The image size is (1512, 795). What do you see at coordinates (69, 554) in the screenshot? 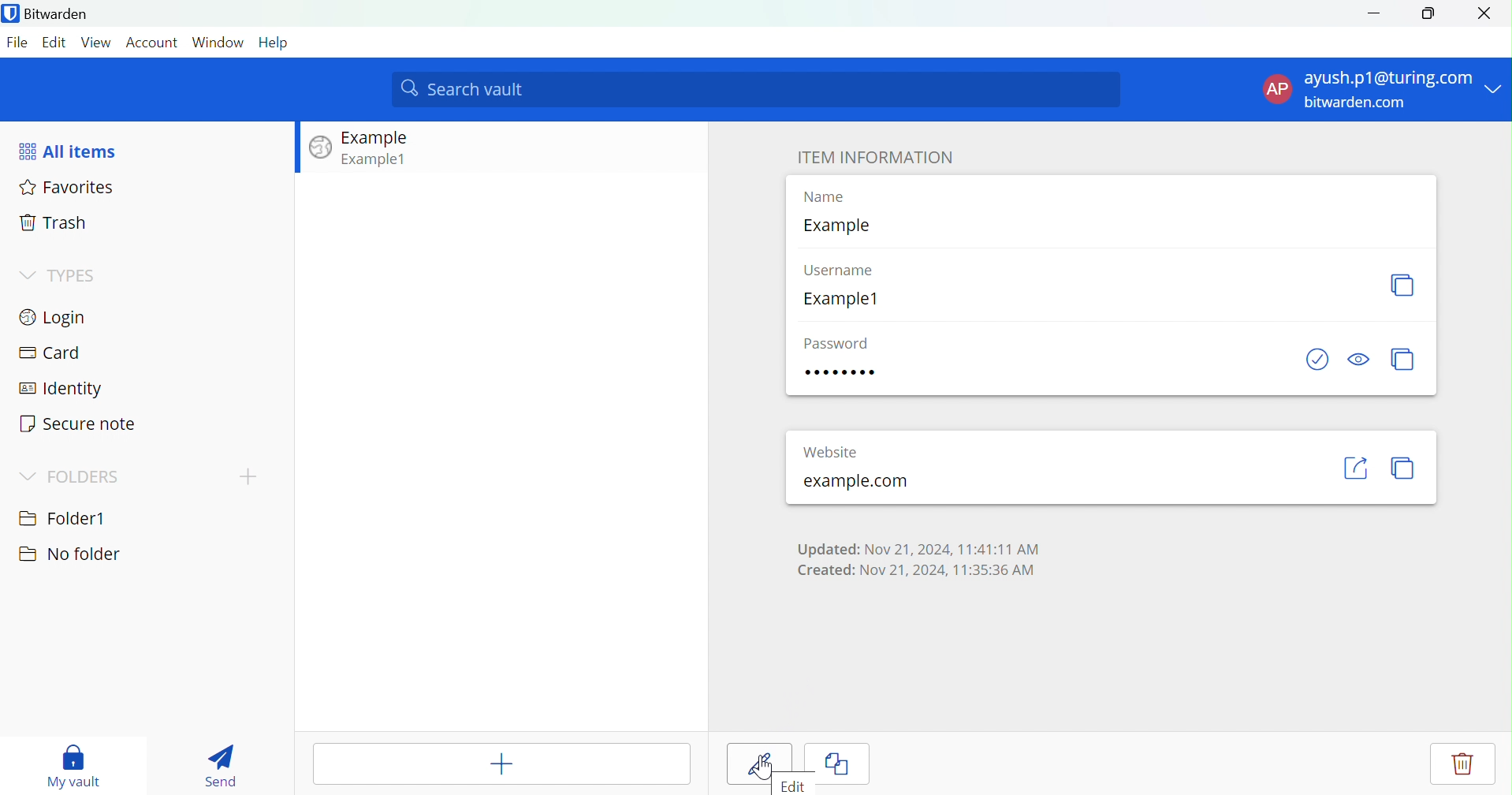
I see `No folder` at bounding box center [69, 554].